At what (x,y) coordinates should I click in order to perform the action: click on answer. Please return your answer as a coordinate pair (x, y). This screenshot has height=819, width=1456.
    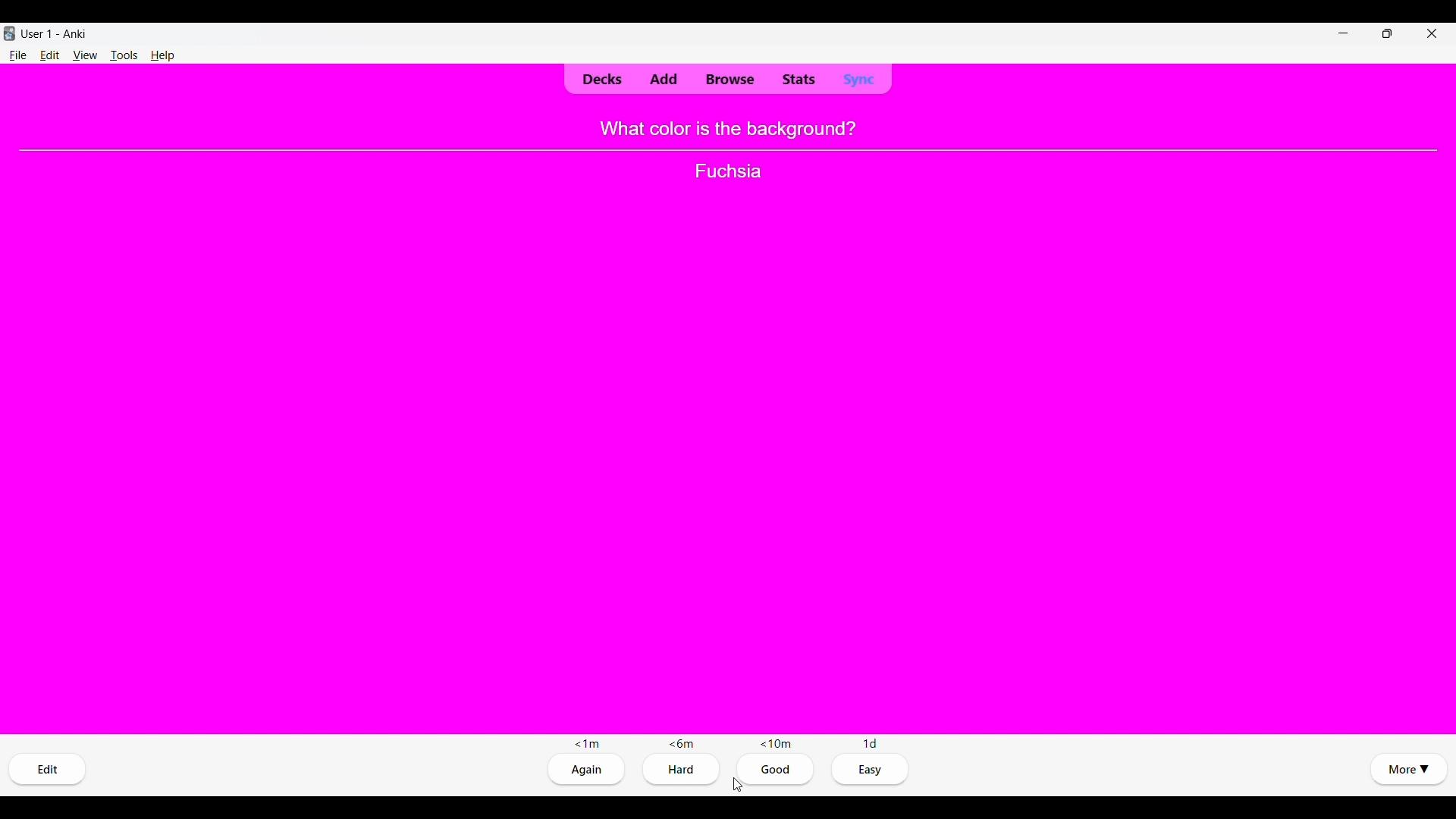
    Looking at the image, I should click on (726, 171).